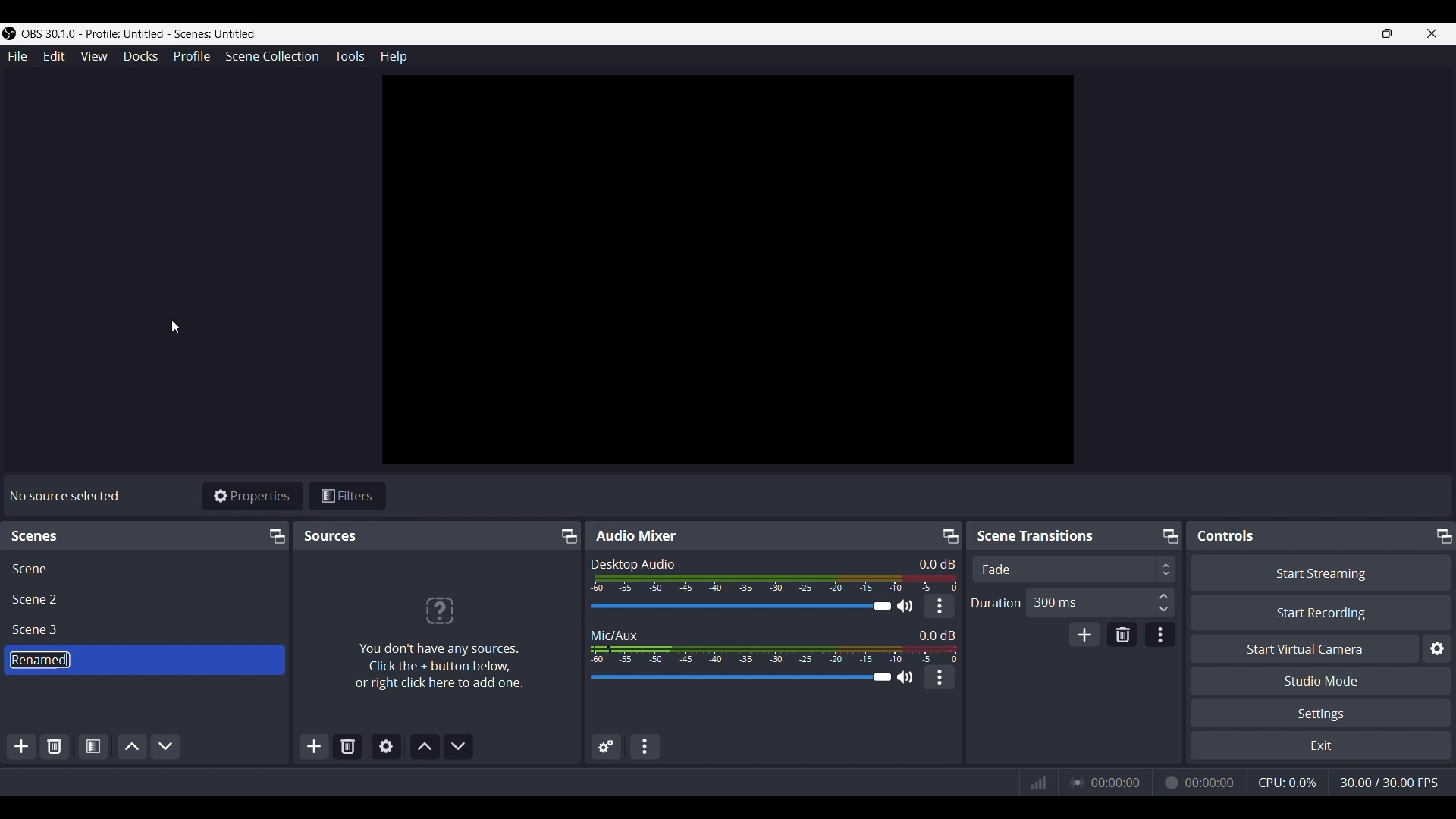 The height and width of the screenshot is (819, 1456). I want to click on Filters, so click(348, 495).